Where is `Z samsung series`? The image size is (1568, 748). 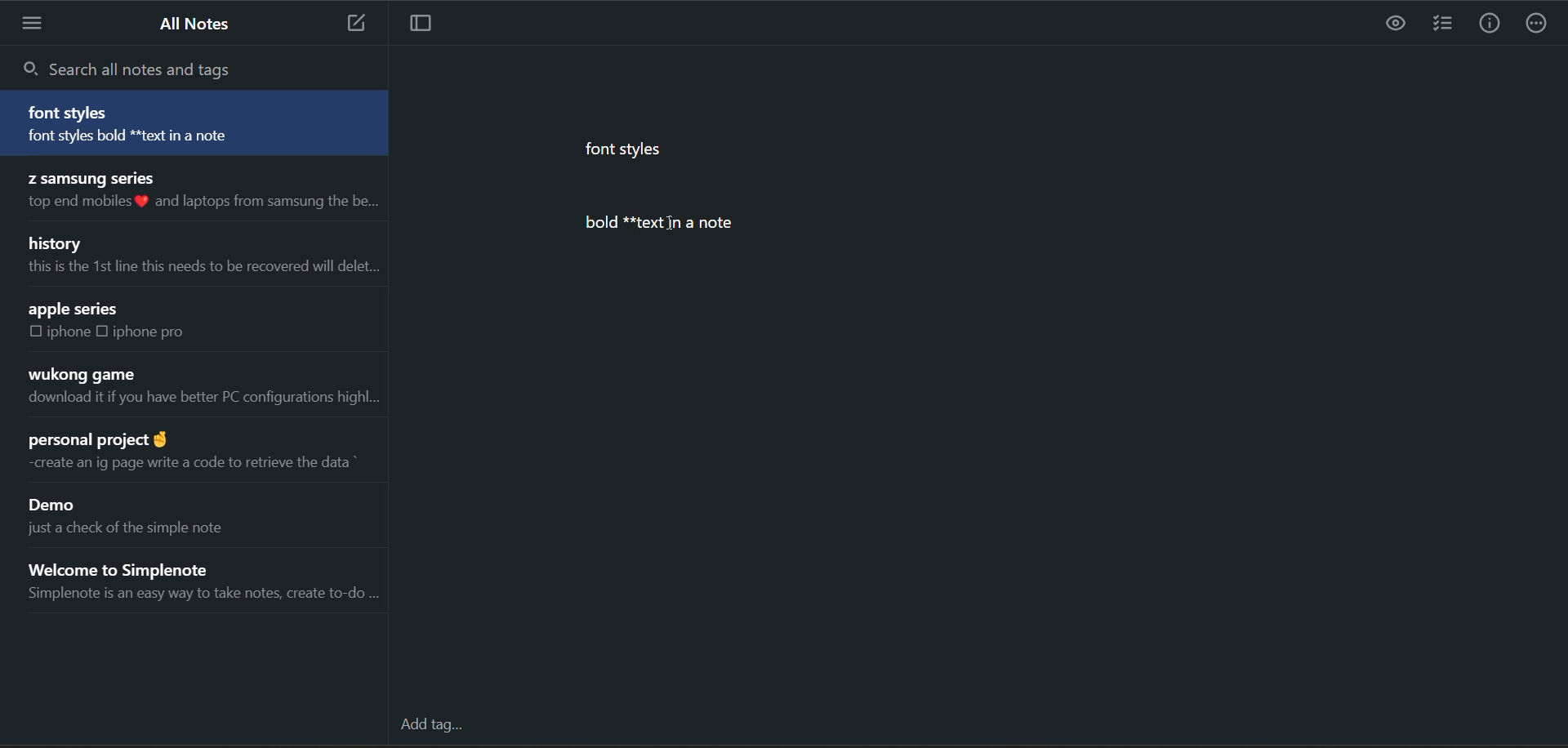
Z samsung series is located at coordinates (89, 176).